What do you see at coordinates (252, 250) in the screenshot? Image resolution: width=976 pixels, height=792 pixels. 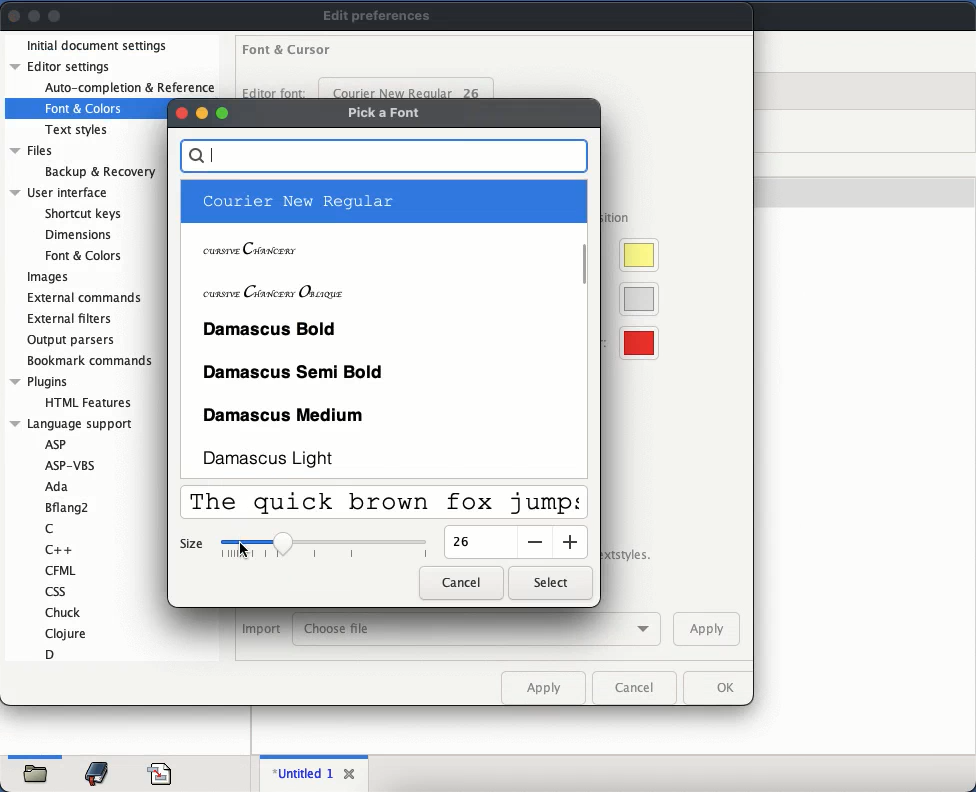 I see `cunsng Crancenr` at bounding box center [252, 250].